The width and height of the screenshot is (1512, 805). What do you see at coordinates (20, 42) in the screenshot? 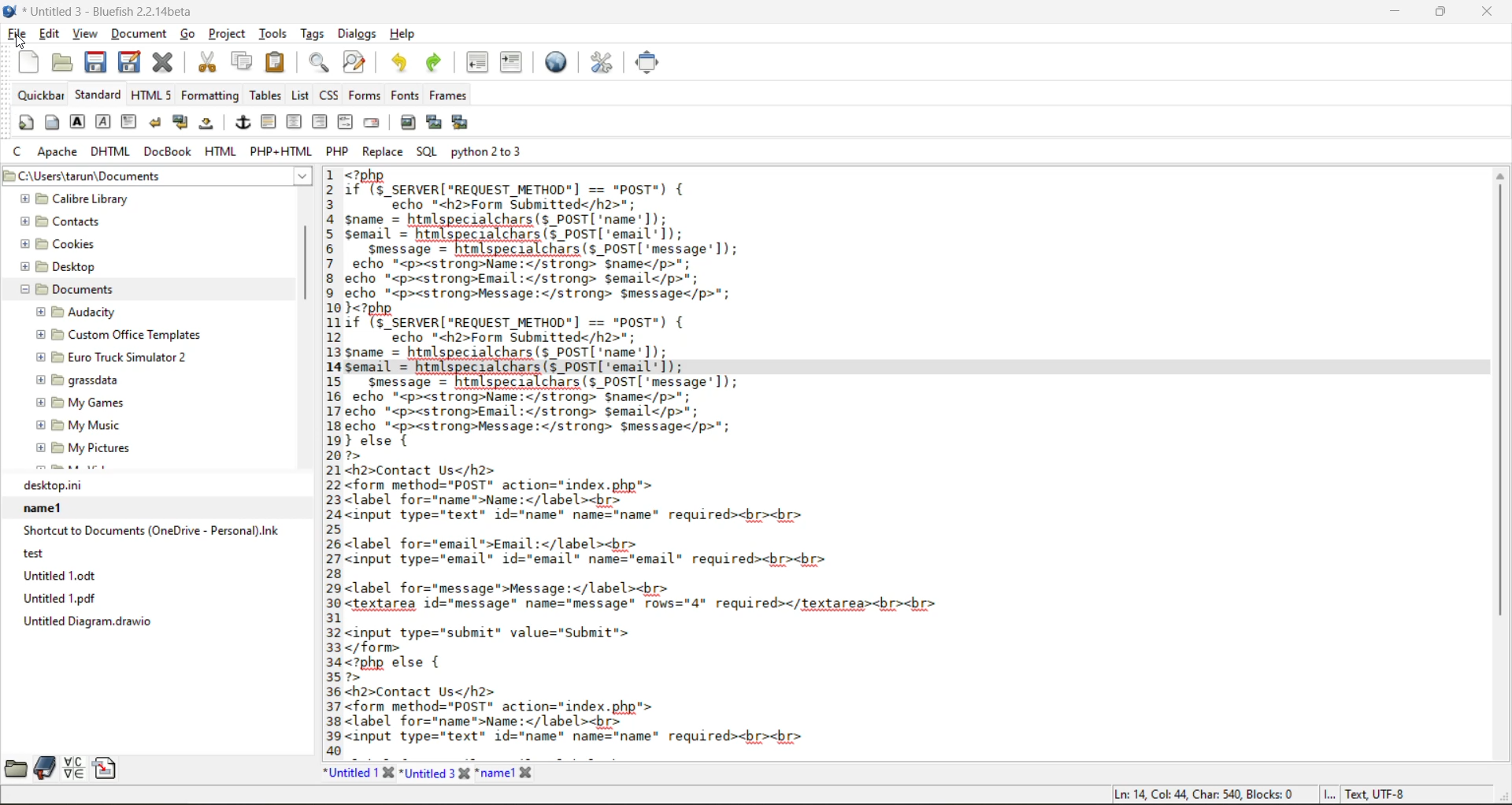
I see `Cursor` at bounding box center [20, 42].